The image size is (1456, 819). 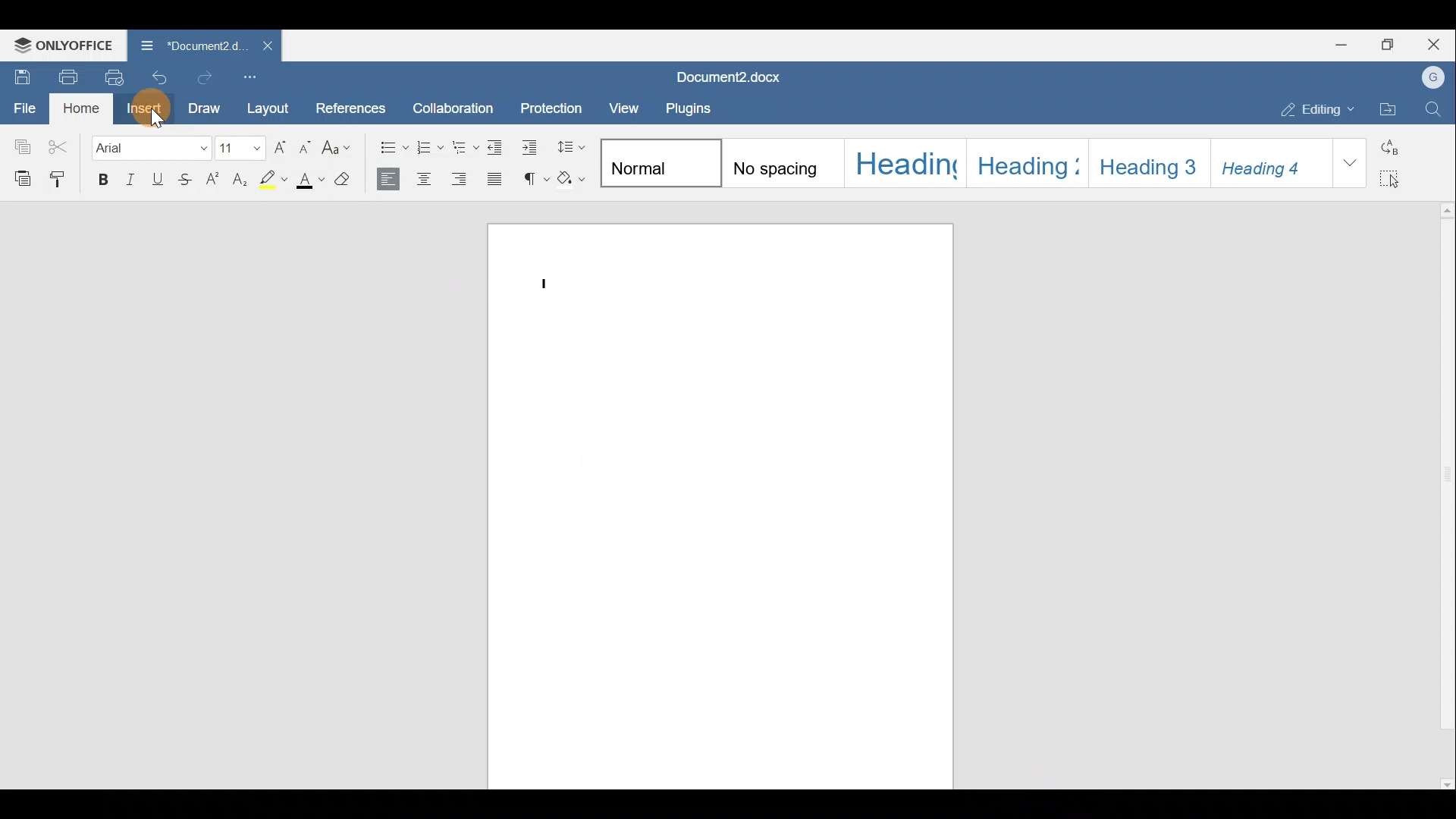 What do you see at coordinates (1442, 490) in the screenshot?
I see `Scroll bar` at bounding box center [1442, 490].